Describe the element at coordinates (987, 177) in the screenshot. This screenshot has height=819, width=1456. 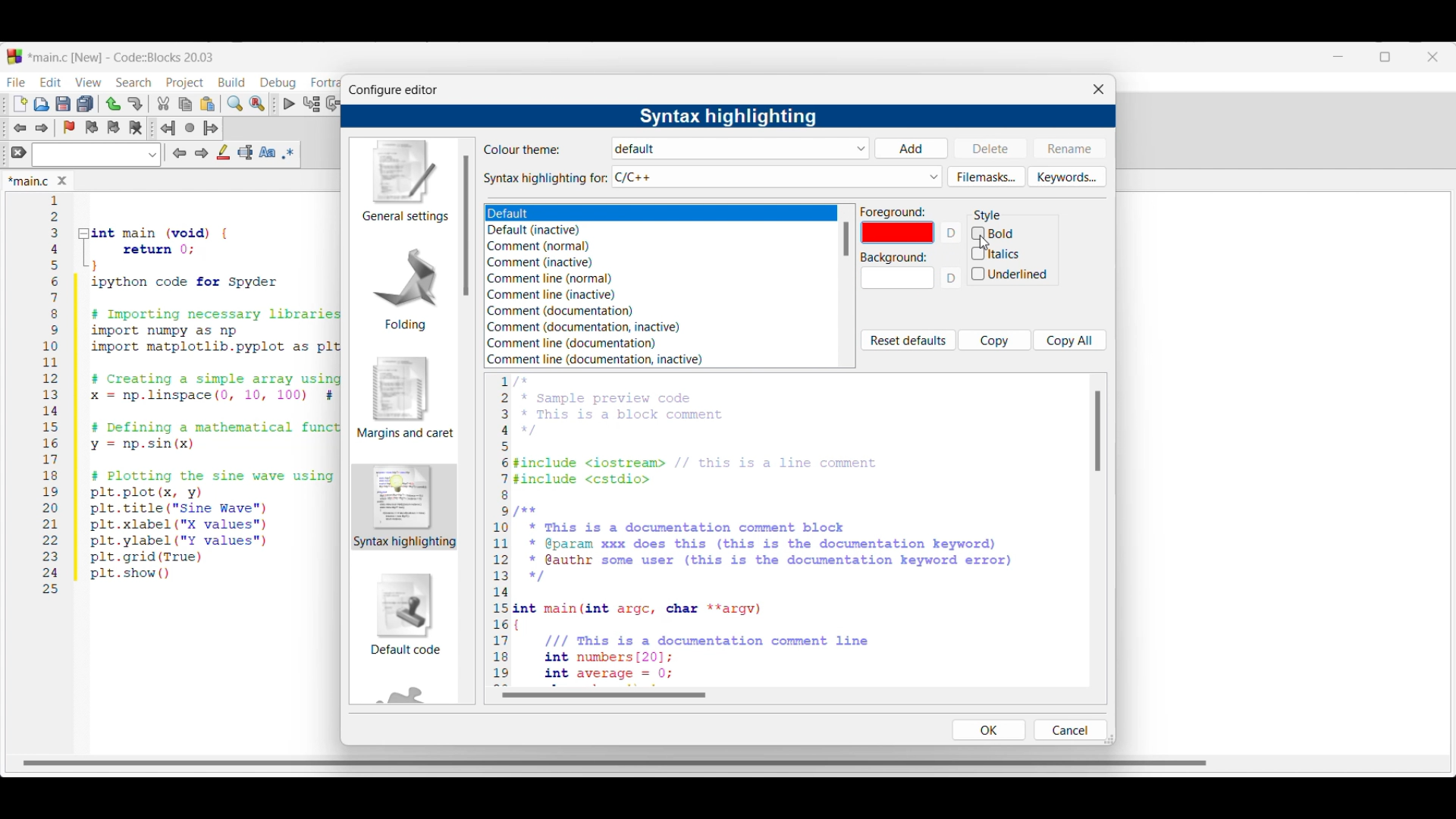
I see `Filemasks` at that location.